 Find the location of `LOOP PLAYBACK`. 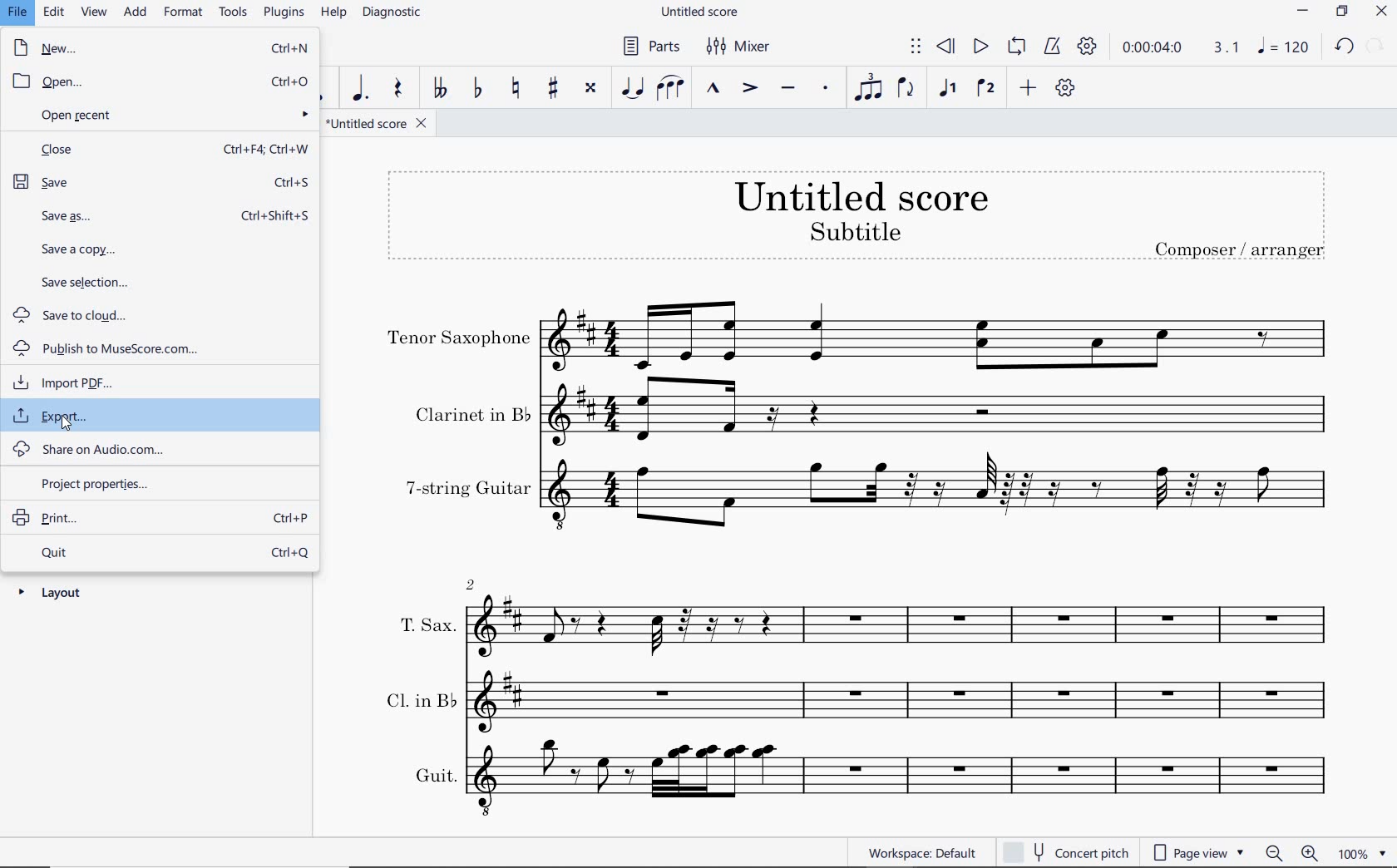

LOOP PLAYBACK is located at coordinates (1015, 48).